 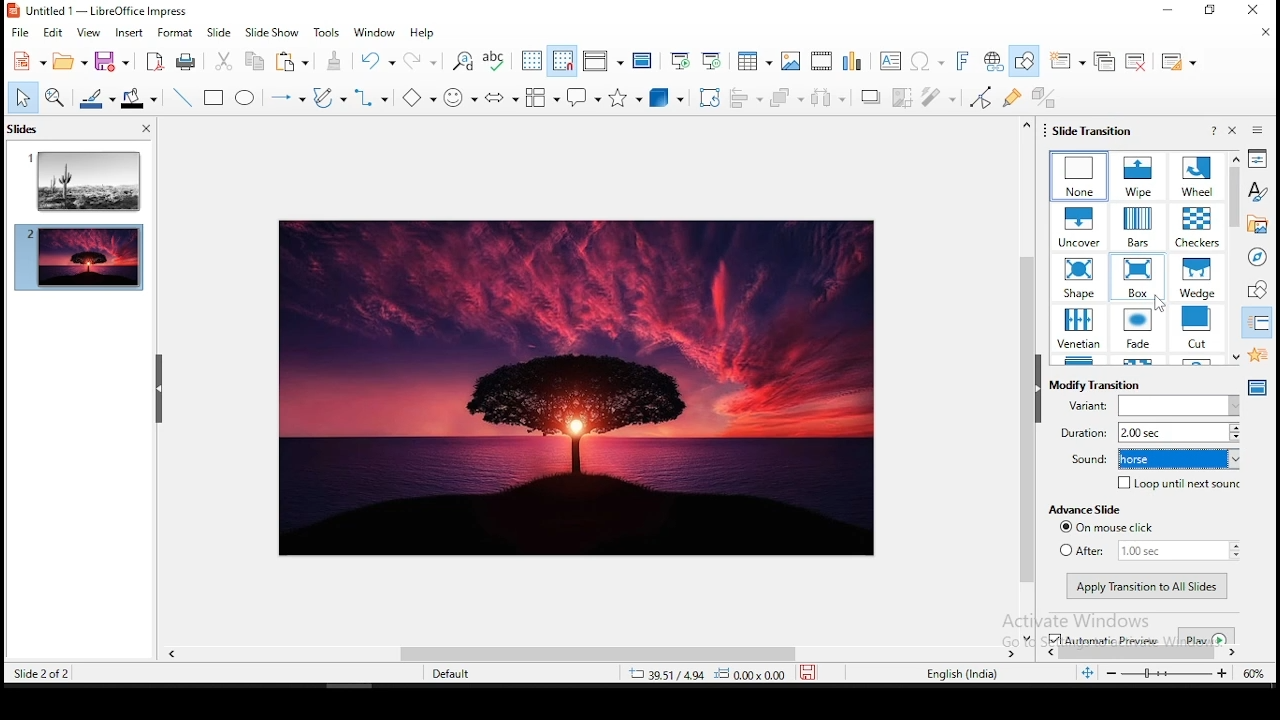 I want to click on print, so click(x=187, y=61).